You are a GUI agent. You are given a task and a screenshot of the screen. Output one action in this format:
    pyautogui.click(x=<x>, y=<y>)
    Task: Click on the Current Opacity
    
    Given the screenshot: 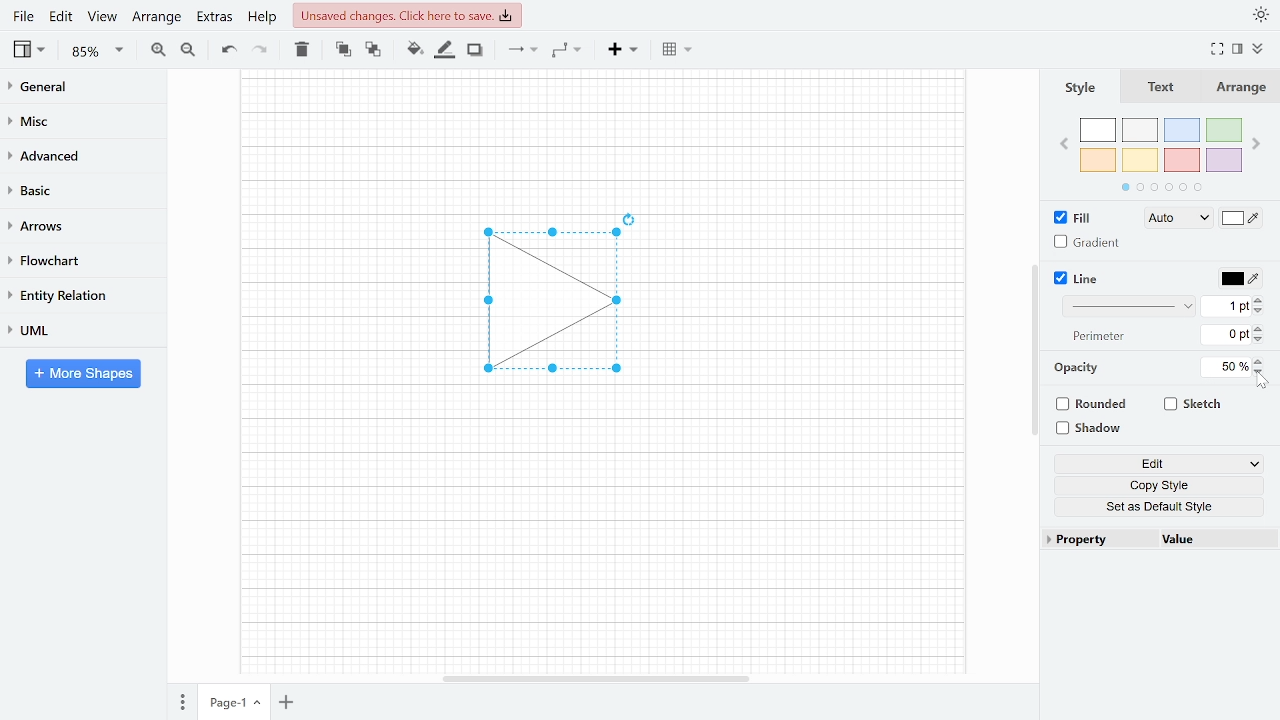 What is the action you would take?
    pyautogui.click(x=1223, y=366)
    